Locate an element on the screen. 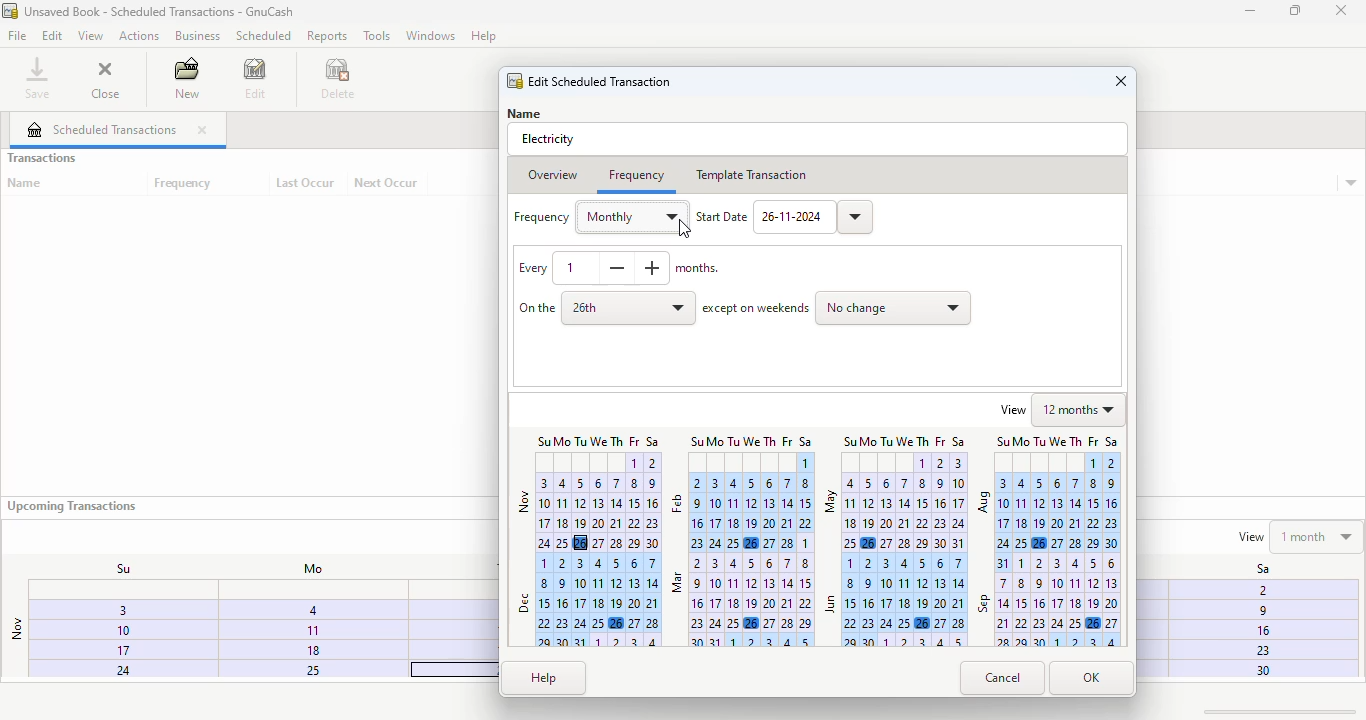 Image resolution: width=1366 pixels, height=720 pixels. monthly is located at coordinates (632, 217).